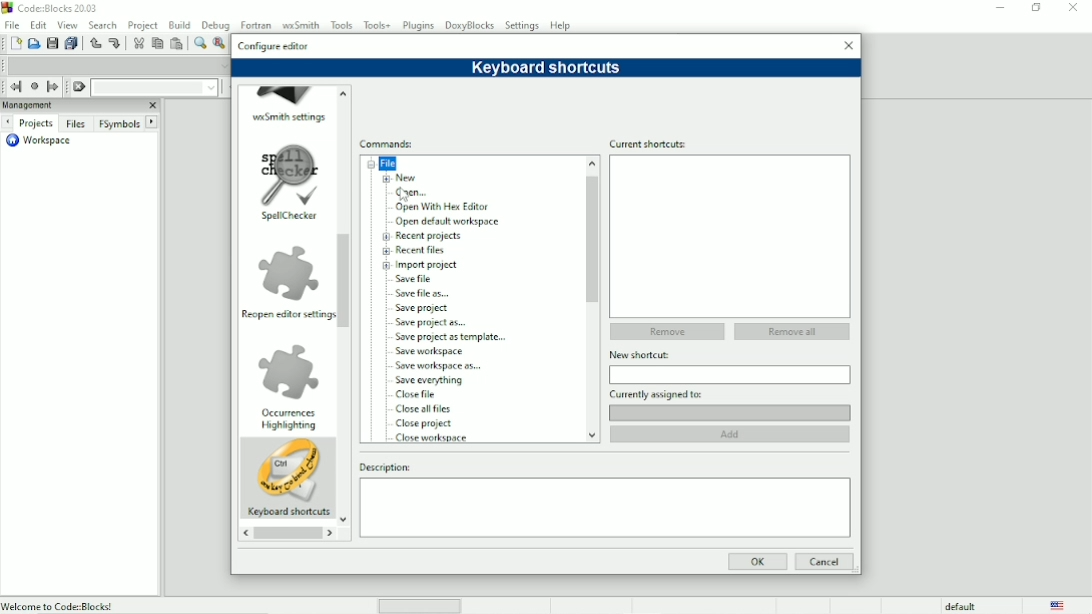  What do you see at coordinates (288, 94) in the screenshot?
I see `Image` at bounding box center [288, 94].